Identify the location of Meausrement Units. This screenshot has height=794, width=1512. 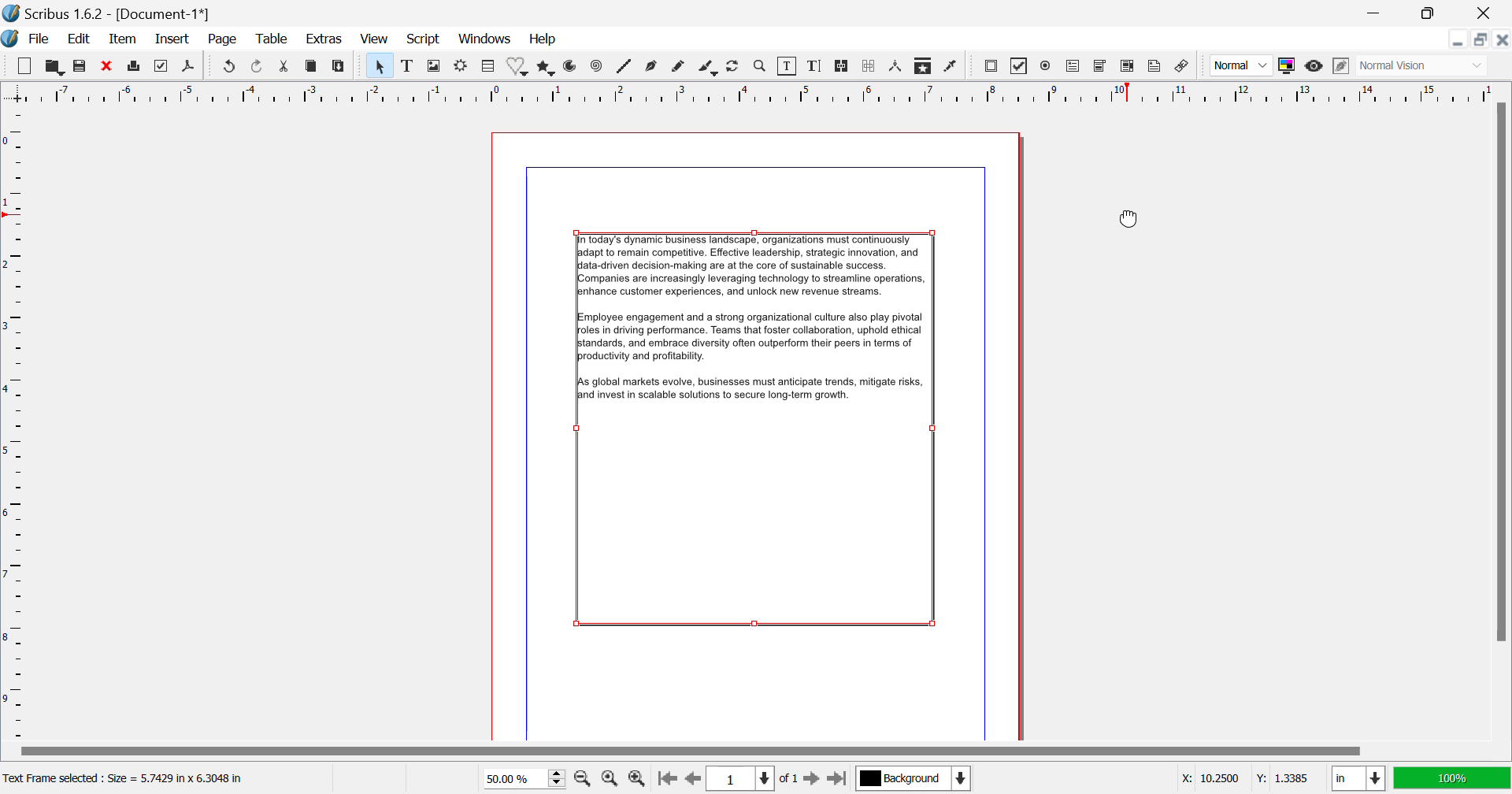
(1359, 779).